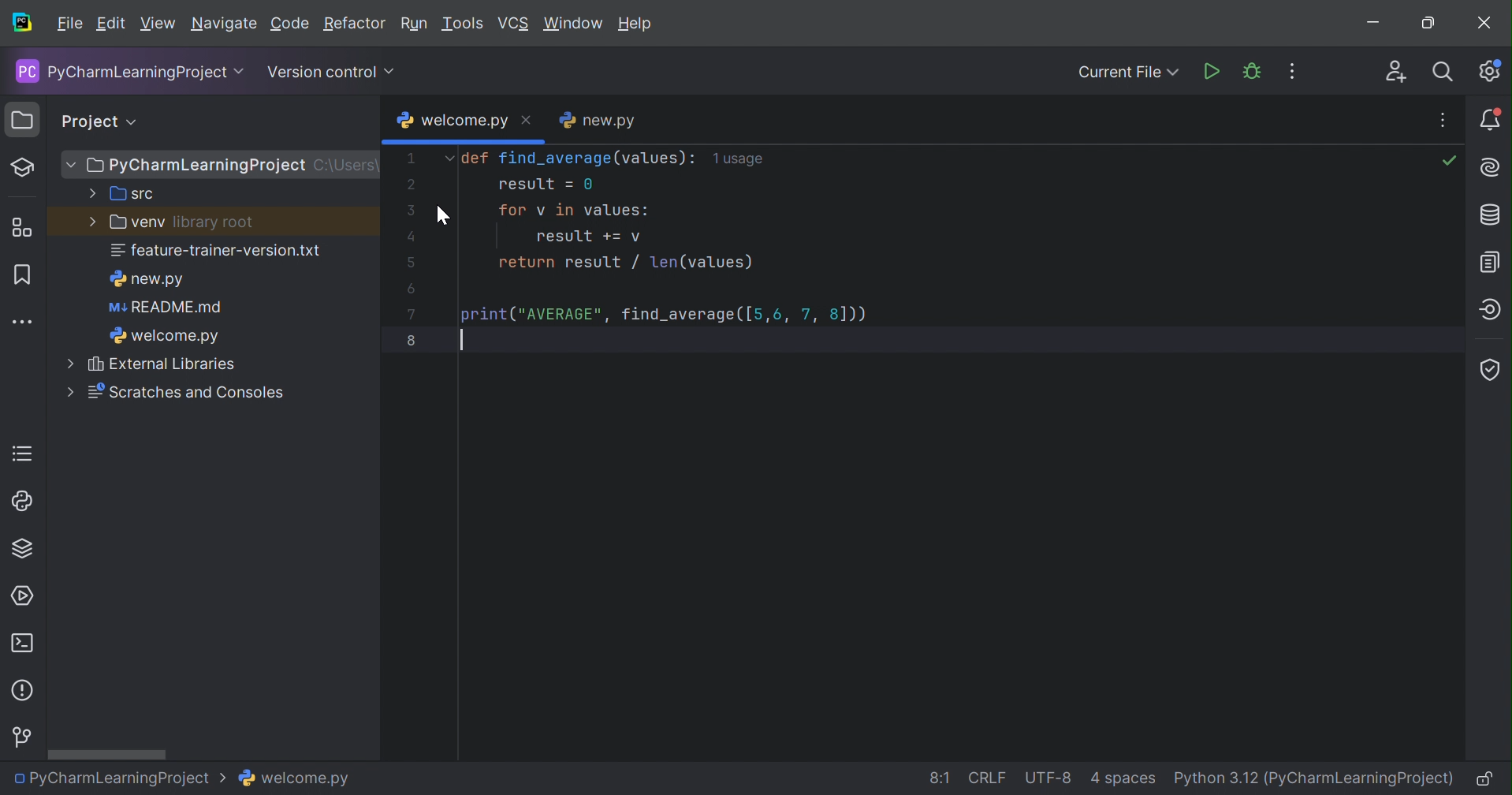 This screenshot has width=1512, height=795. I want to click on Project, so click(91, 121).